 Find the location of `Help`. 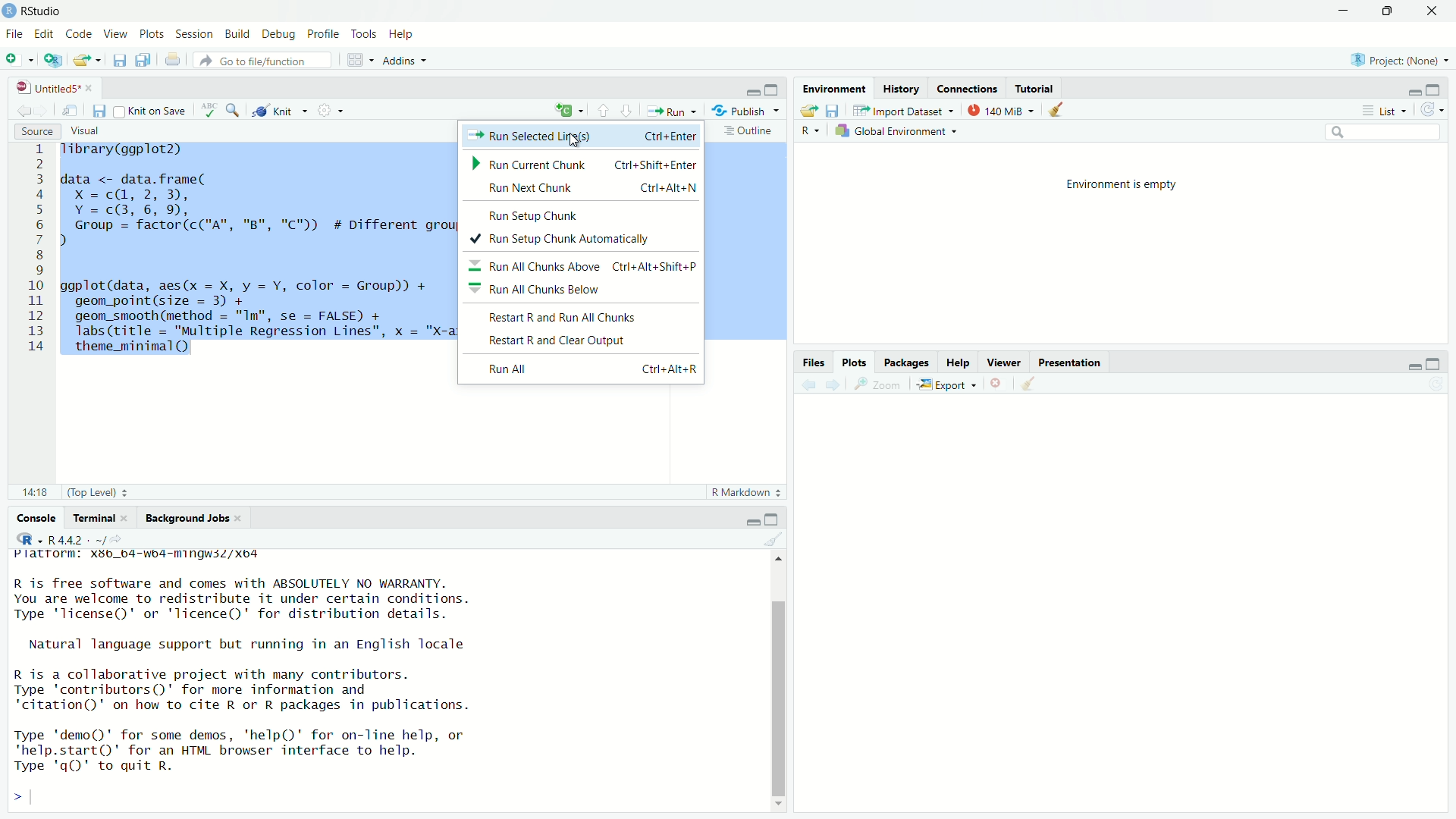

Help is located at coordinates (406, 33).